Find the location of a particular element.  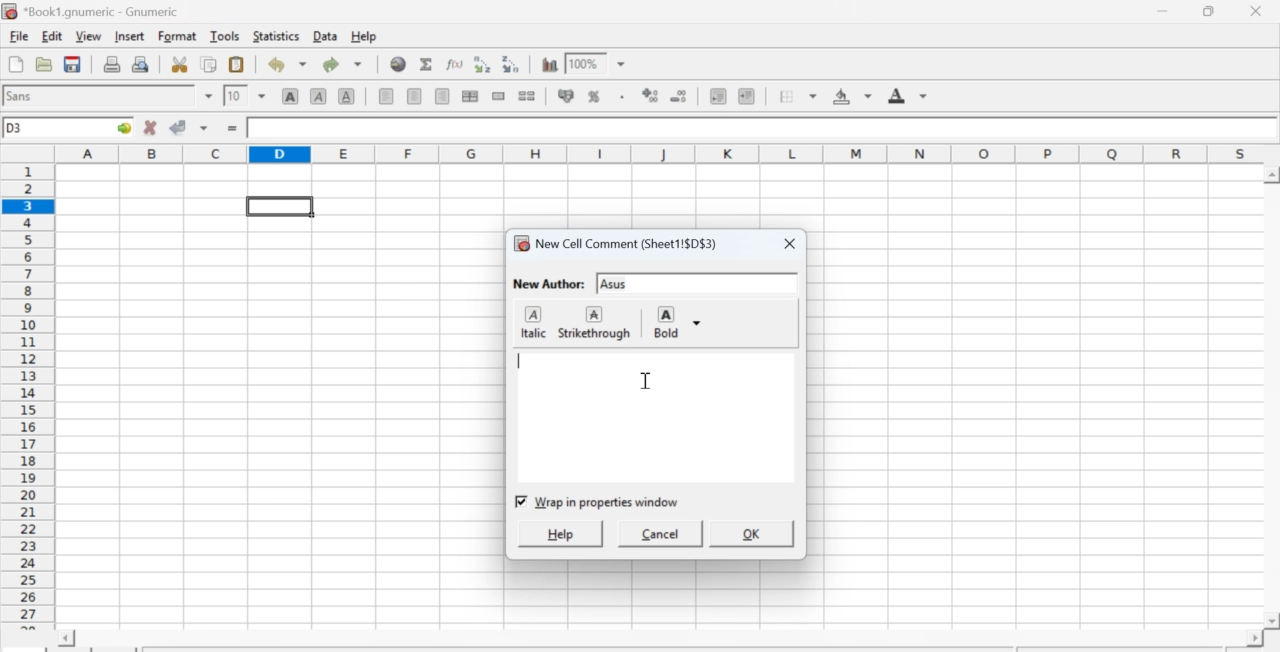

scroll down is located at coordinates (1272, 622).